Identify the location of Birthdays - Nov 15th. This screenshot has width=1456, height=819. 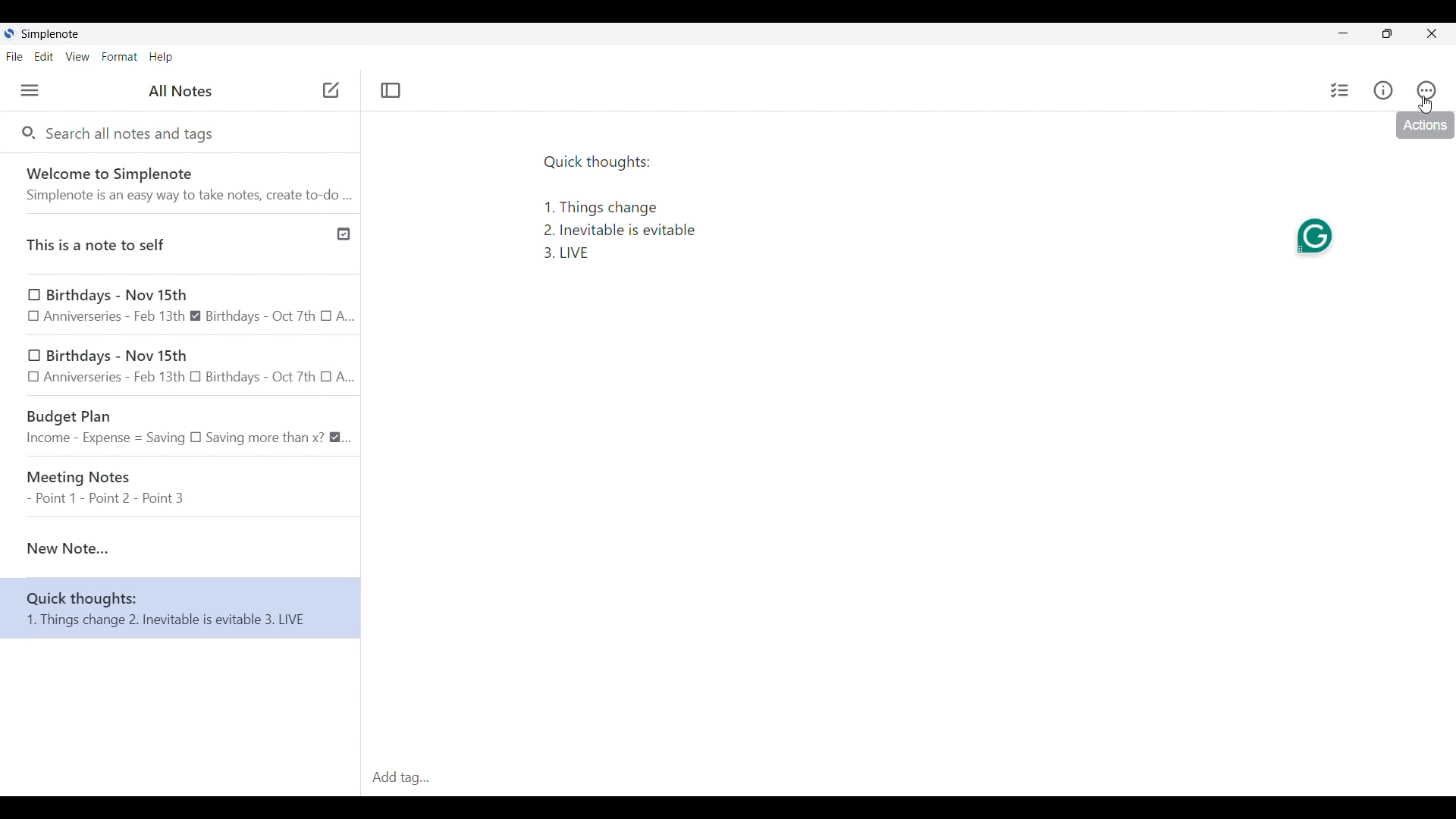
(182, 366).